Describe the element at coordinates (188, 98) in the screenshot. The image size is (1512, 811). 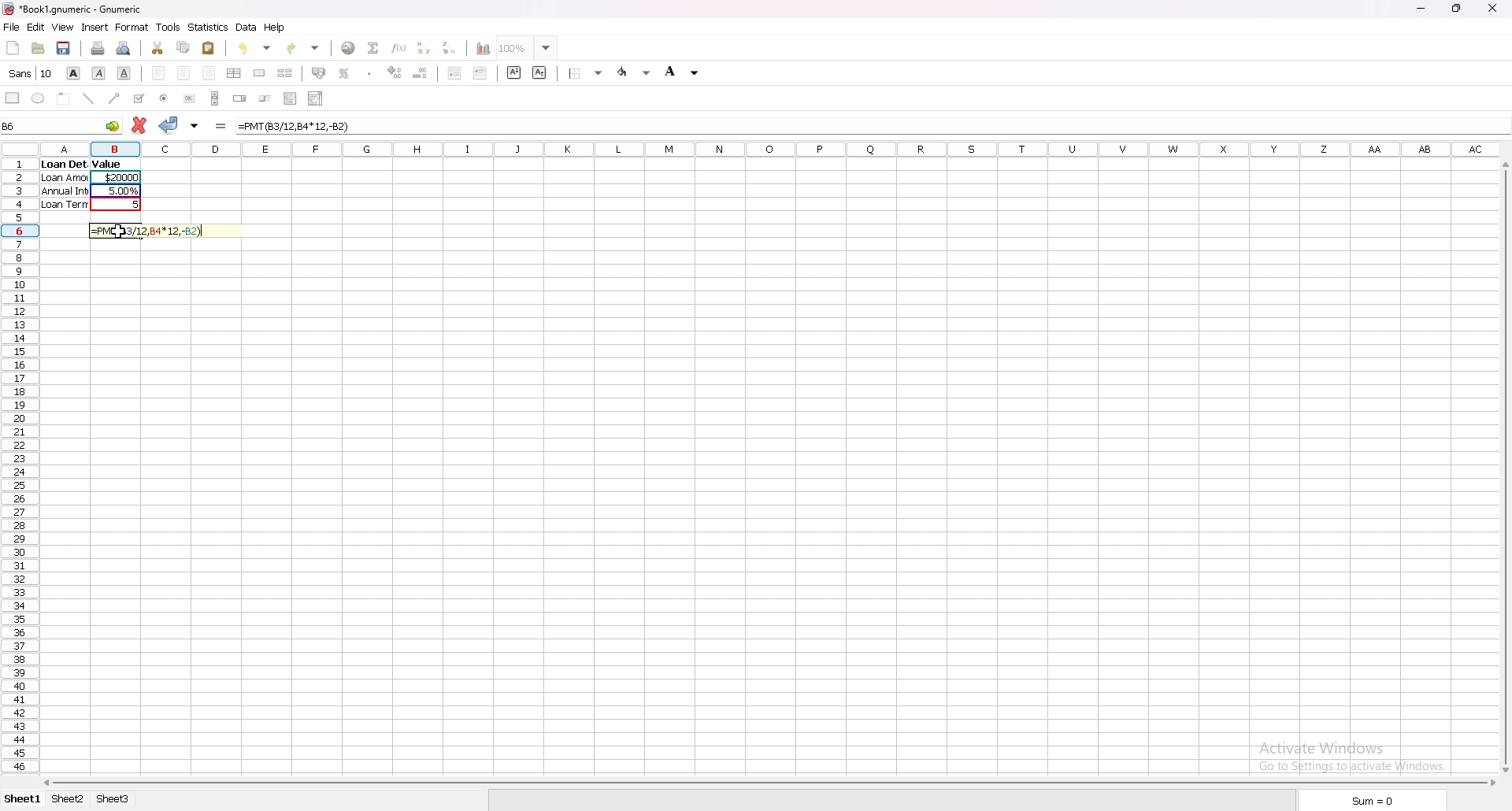
I see `button` at that location.